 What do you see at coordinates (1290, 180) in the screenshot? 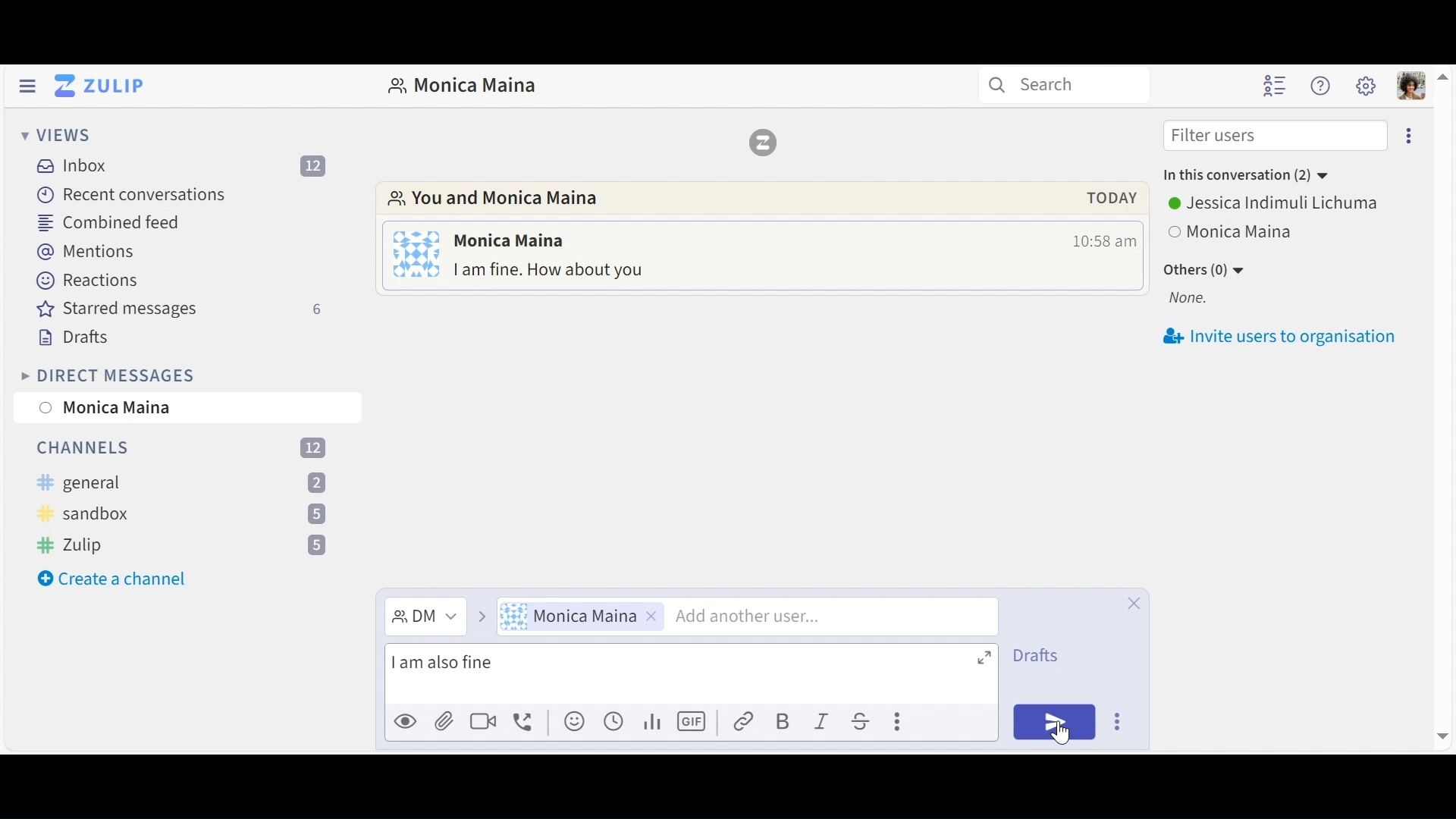
I see `User Options` at bounding box center [1290, 180].